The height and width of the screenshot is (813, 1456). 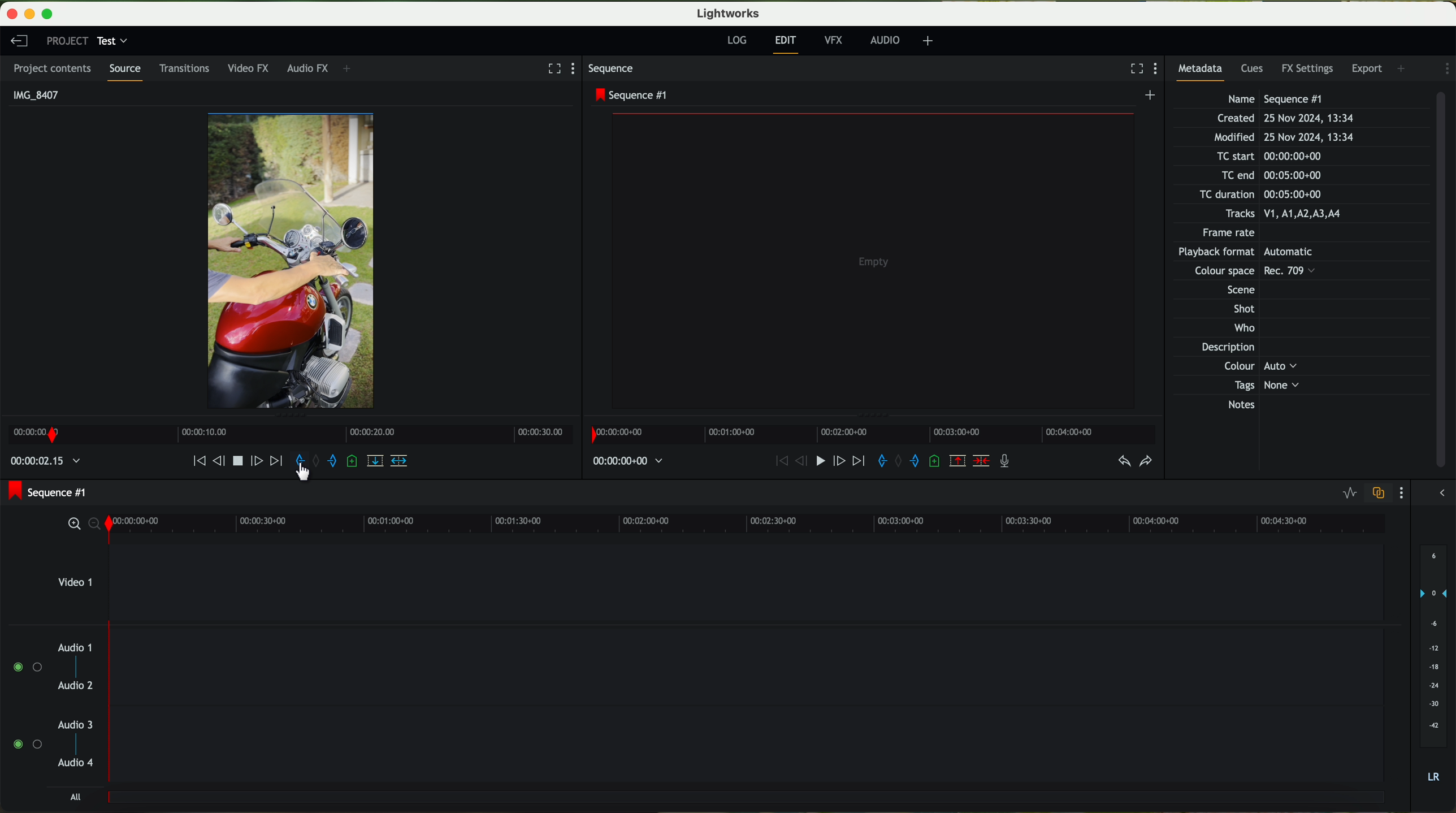 What do you see at coordinates (1254, 70) in the screenshot?
I see `cues` at bounding box center [1254, 70].